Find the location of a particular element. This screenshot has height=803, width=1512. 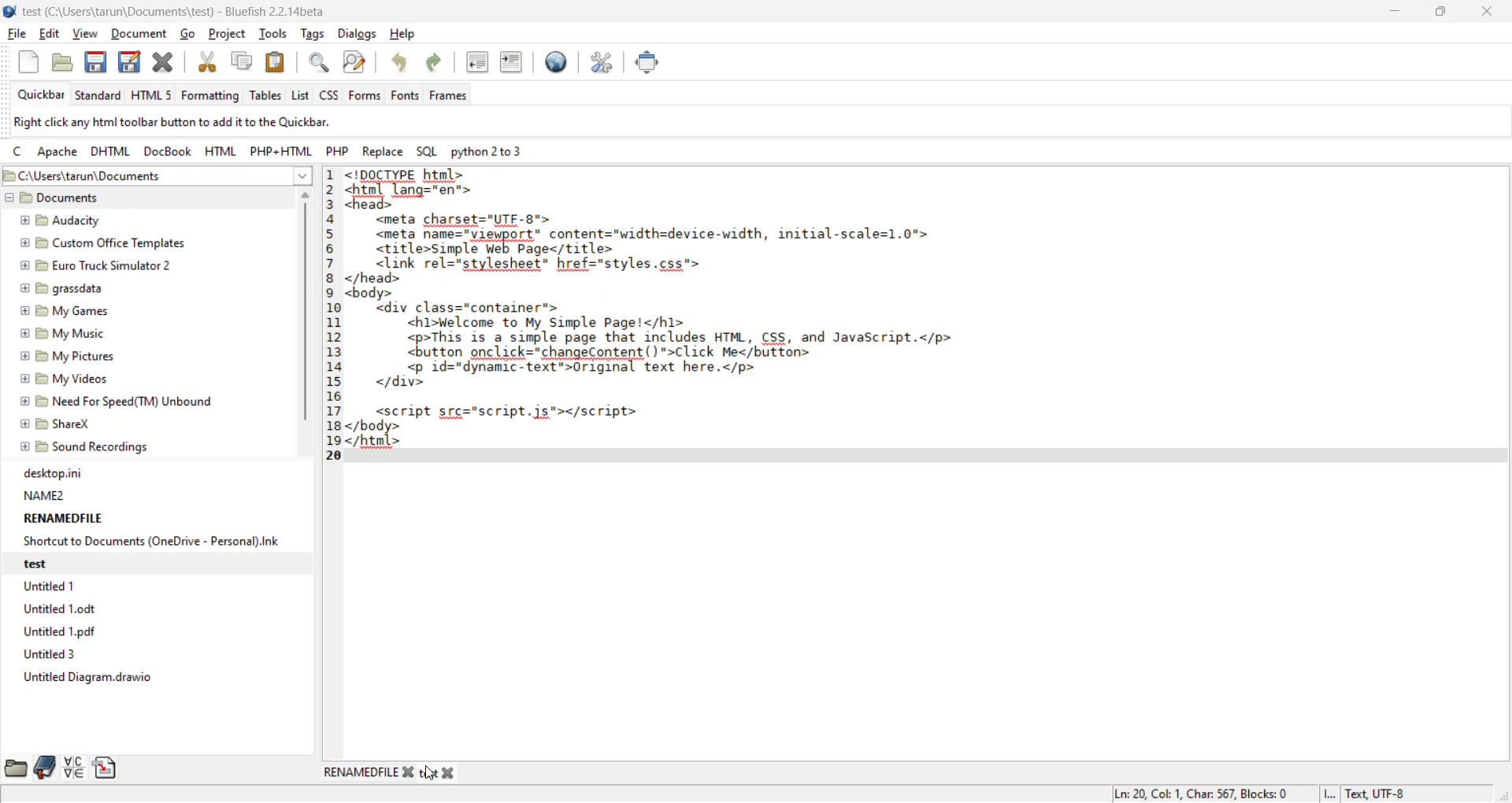

close is located at coordinates (406, 772).